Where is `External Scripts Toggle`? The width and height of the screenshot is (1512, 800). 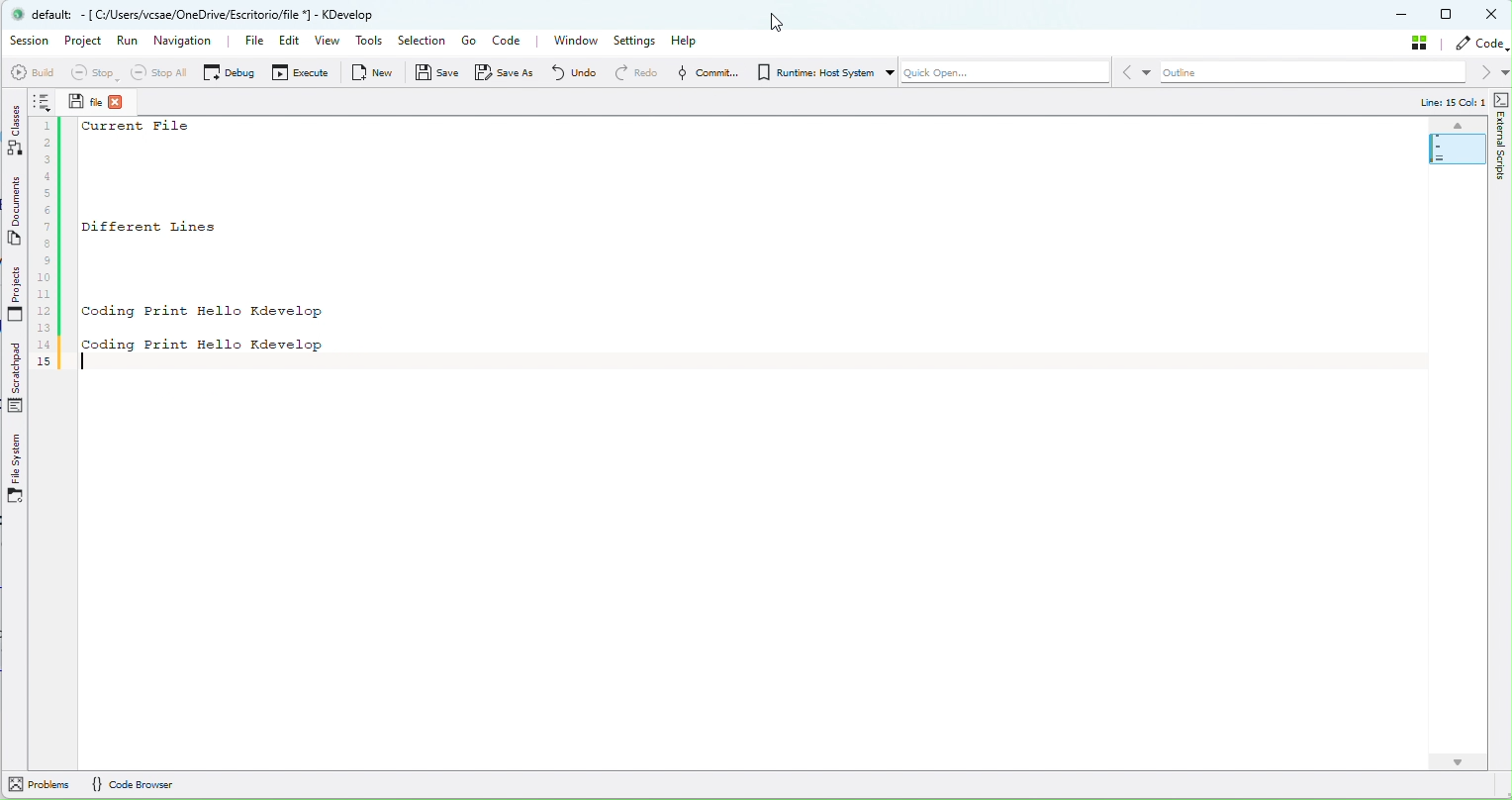
External Scripts Toggle is located at coordinates (1502, 99).